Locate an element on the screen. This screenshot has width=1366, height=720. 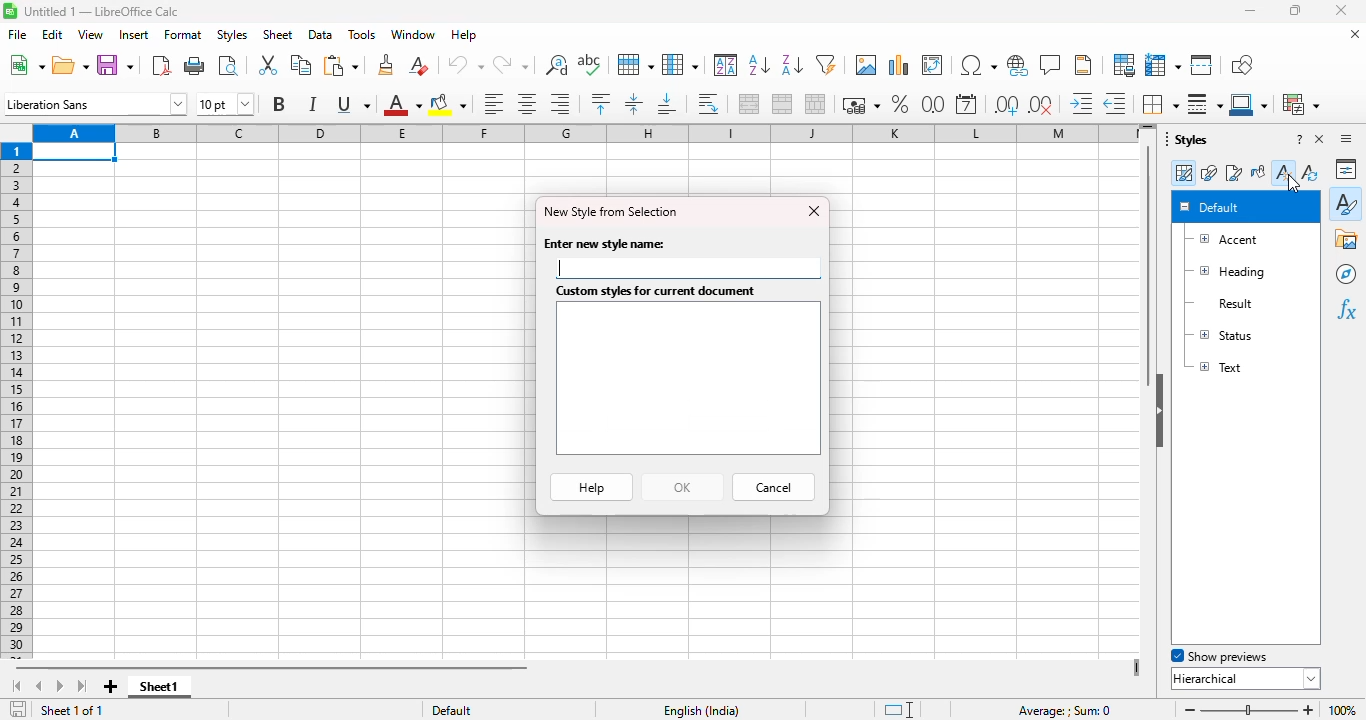
increase indent is located at coordinates (1080, 103).